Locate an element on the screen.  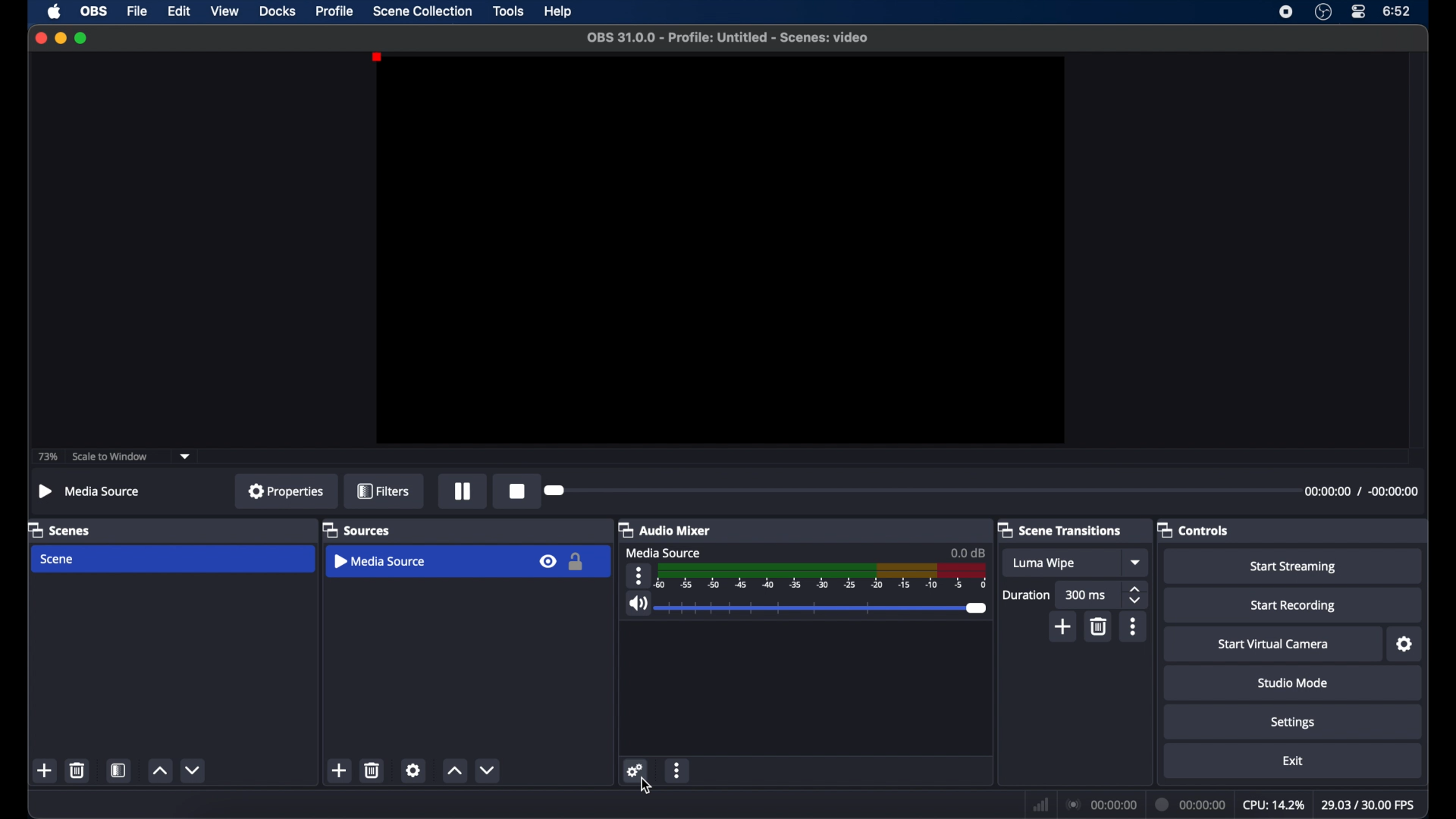
preview is located at coordinates (722, 249).